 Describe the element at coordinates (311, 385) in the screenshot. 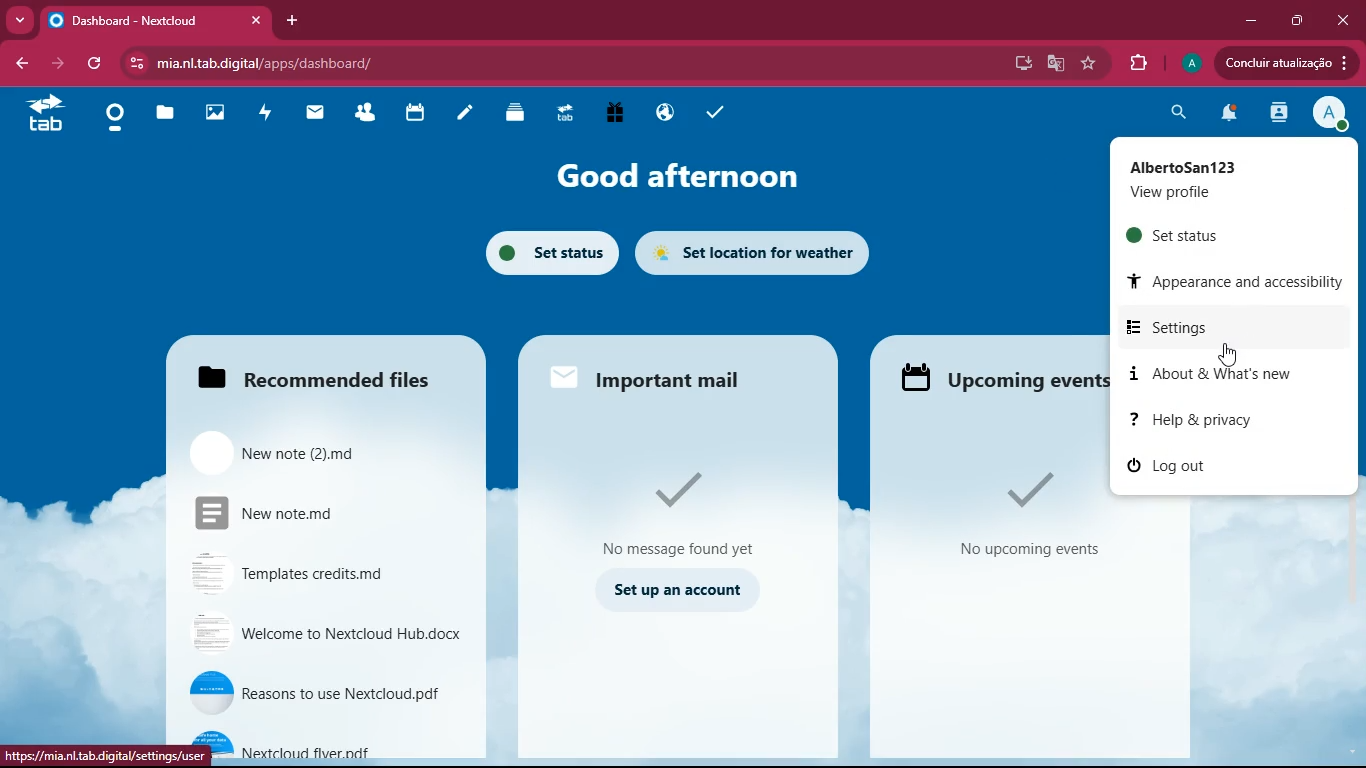

I see `Recommended Files` at that location.